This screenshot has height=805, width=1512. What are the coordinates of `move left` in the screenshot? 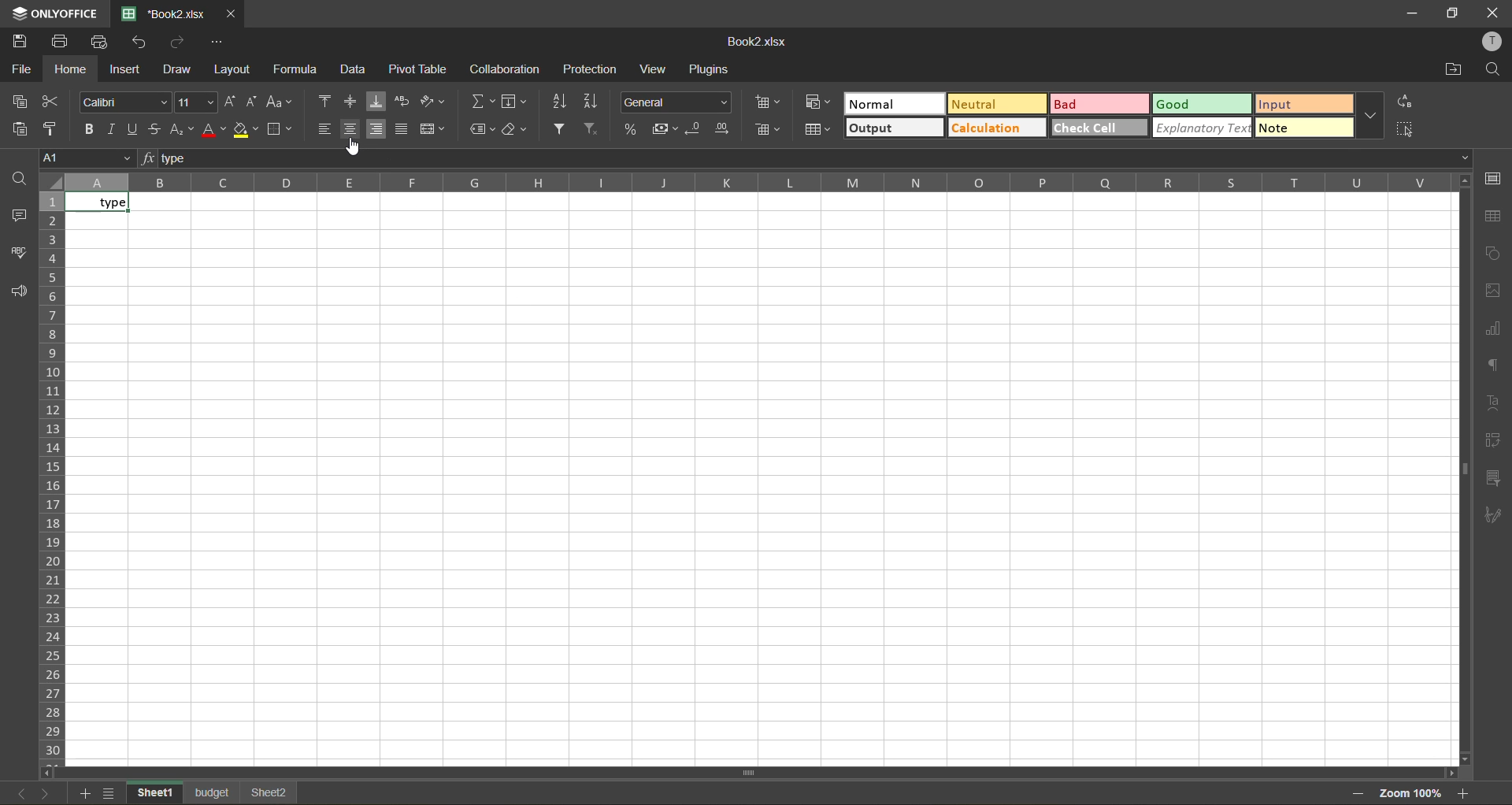 It's located at (54, 771).